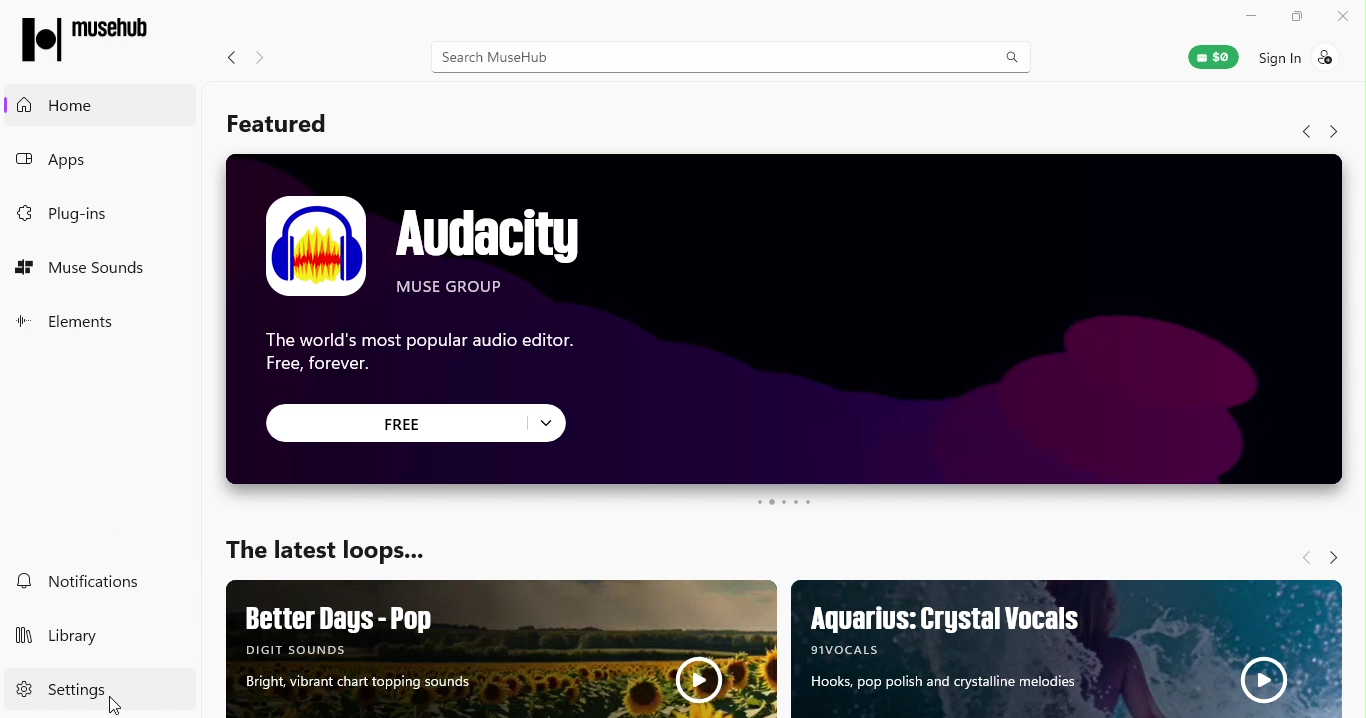  Describe the element at coordinates (1333, 554) in the screenshot. I see `Navigate forward` at that location.